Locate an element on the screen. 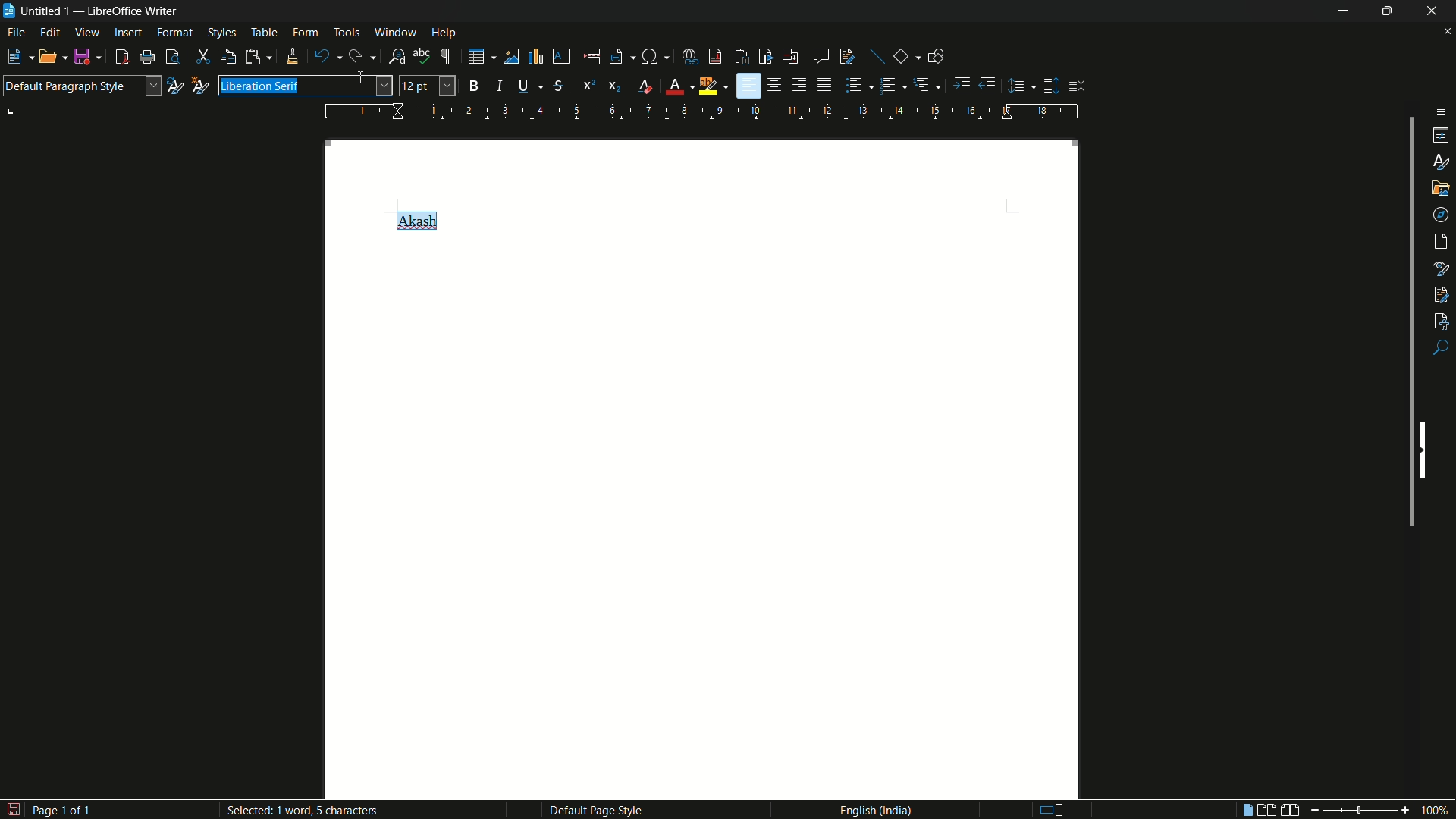  set line spacing is located at coordinates (1018, 86).